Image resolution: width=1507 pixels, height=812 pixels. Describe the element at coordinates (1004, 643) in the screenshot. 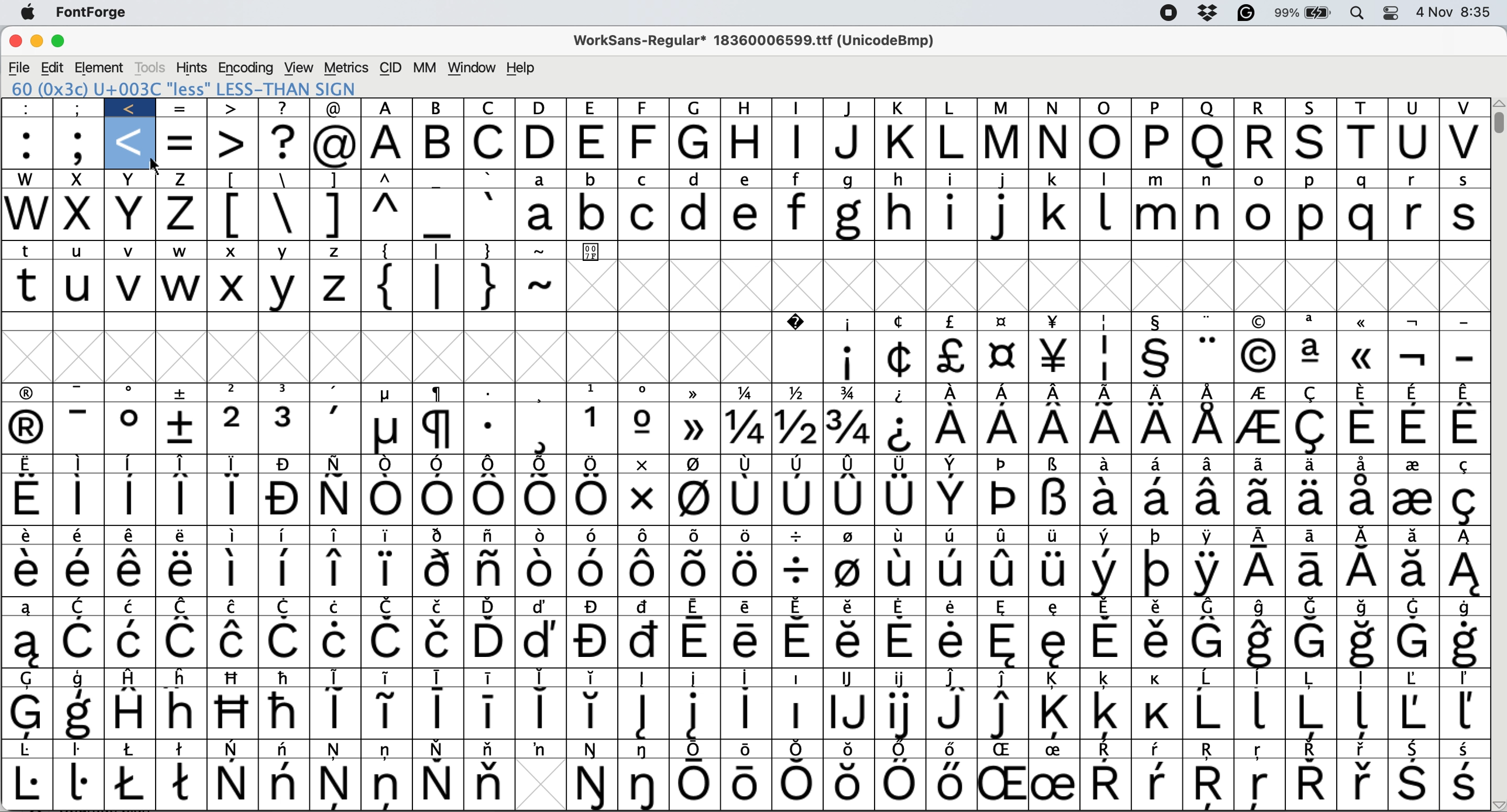

I see `Symbol` at that location.